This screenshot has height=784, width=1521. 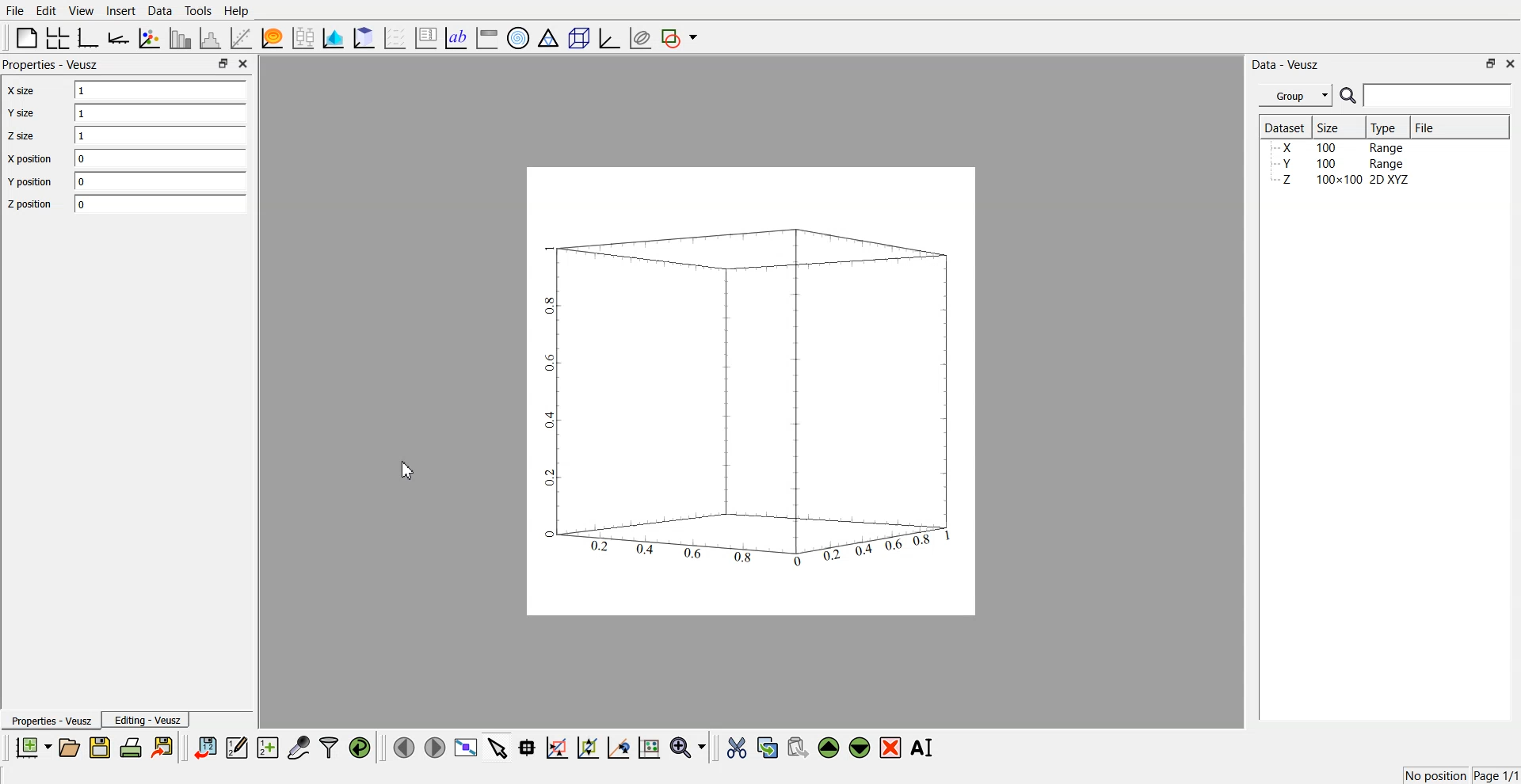 What do you see at coordinates (548, 37) in the screenshot?
I see `Ternary Graph` at bounding box center [548, 37].